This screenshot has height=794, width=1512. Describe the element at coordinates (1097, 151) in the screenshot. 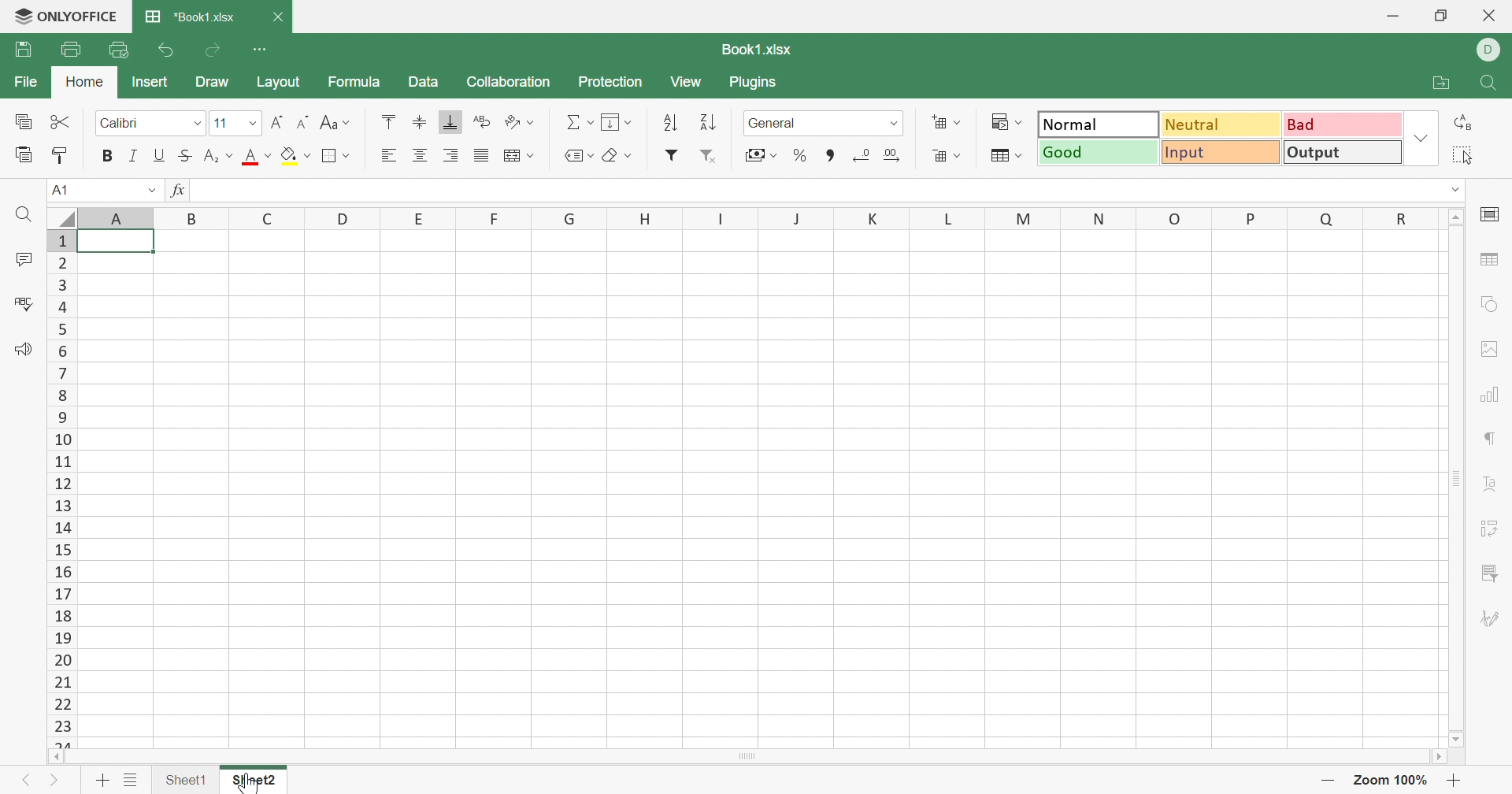

I see `Good` at that location.